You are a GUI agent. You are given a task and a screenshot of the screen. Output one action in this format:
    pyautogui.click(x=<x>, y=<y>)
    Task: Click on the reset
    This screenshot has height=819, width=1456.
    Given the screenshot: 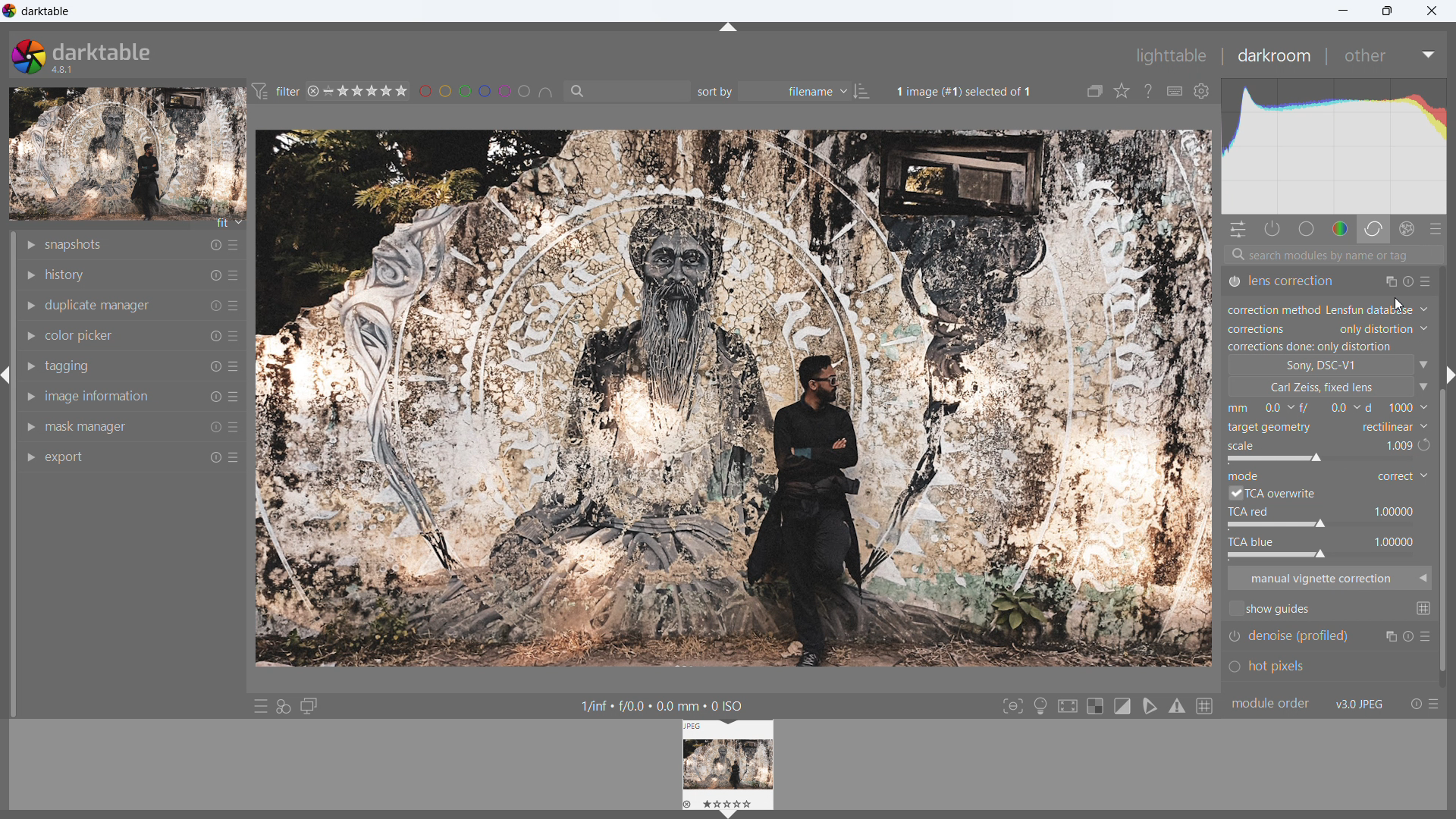 What is the action you would take?
    pyautogui.click(x=215, y=244)
    